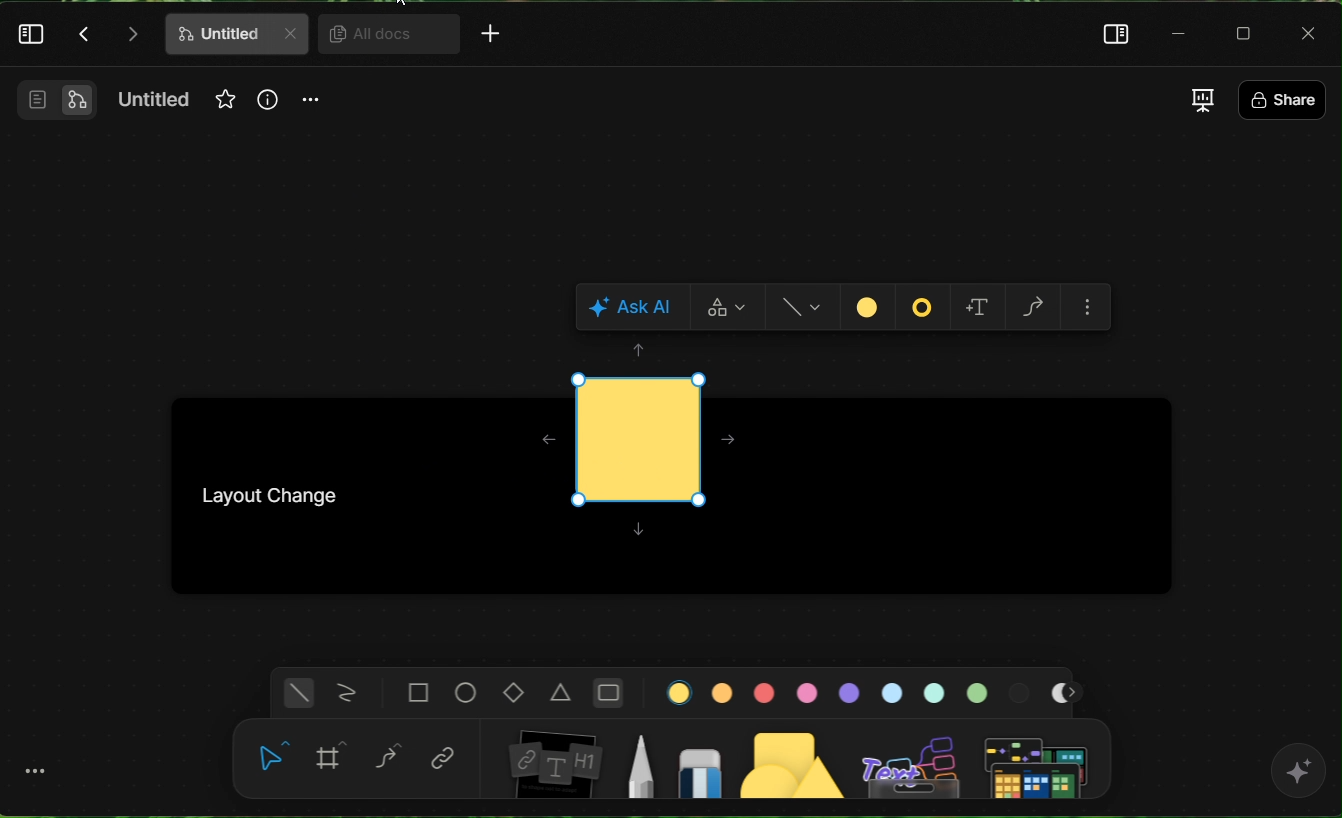 This screenshot has width=1342, height=818. Describe the element at coordinates (803, 308) in the screenshot. I see `Sahpes` at that location.